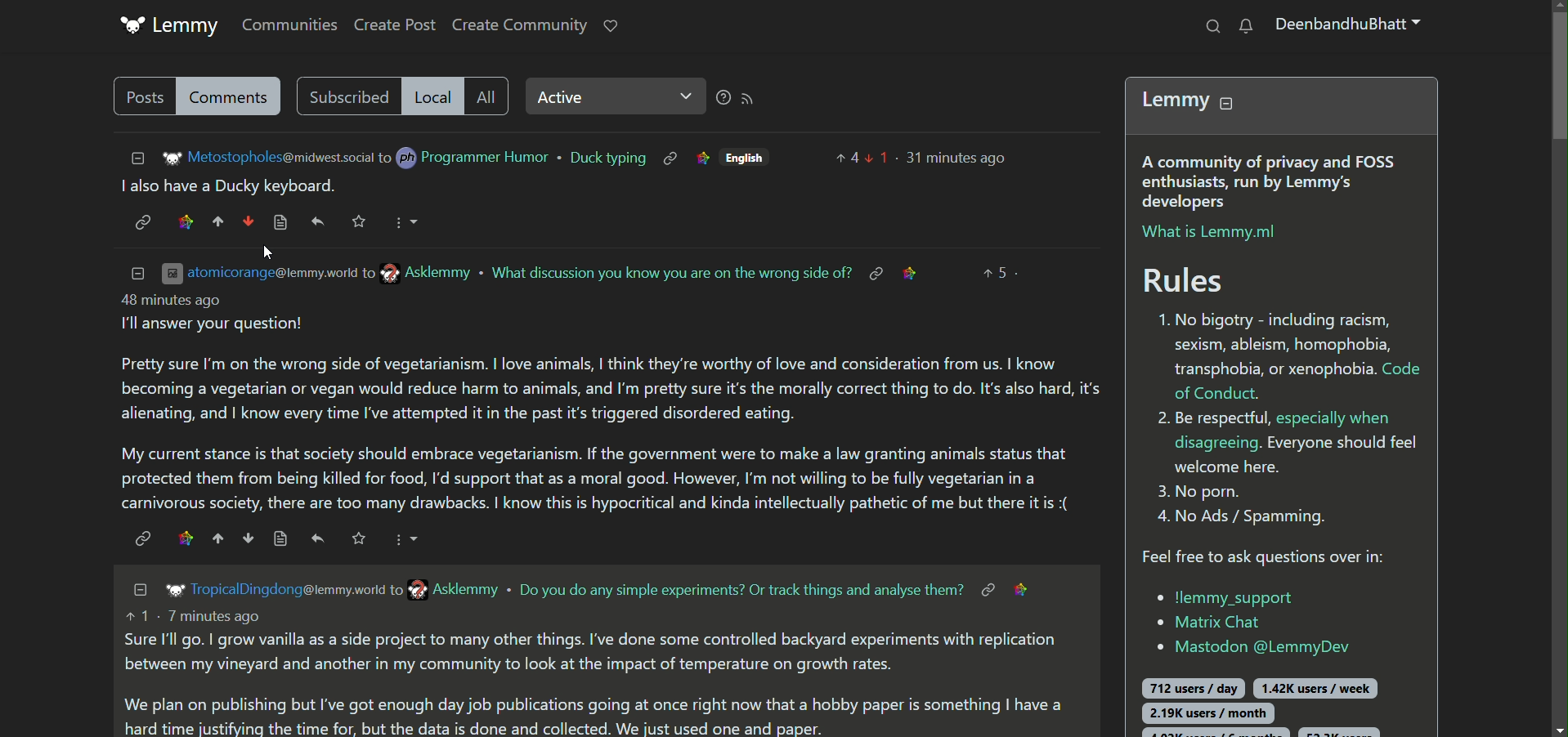 This screenshot has width=1568, height=737. Describe the element at coordinates (1351, 28) in the screenshot. I see `user profile` at that location.